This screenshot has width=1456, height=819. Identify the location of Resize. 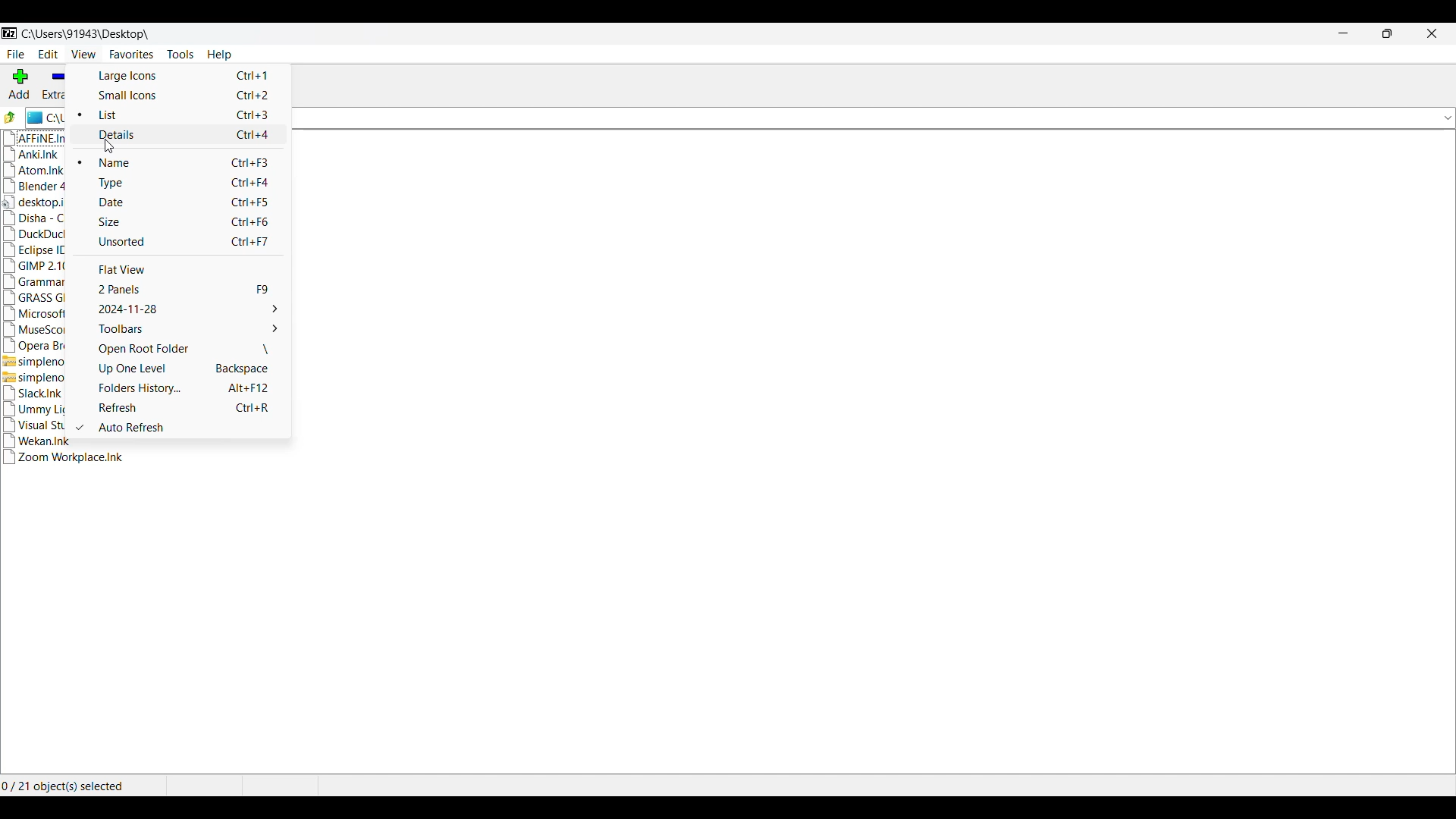
(1388, 33).